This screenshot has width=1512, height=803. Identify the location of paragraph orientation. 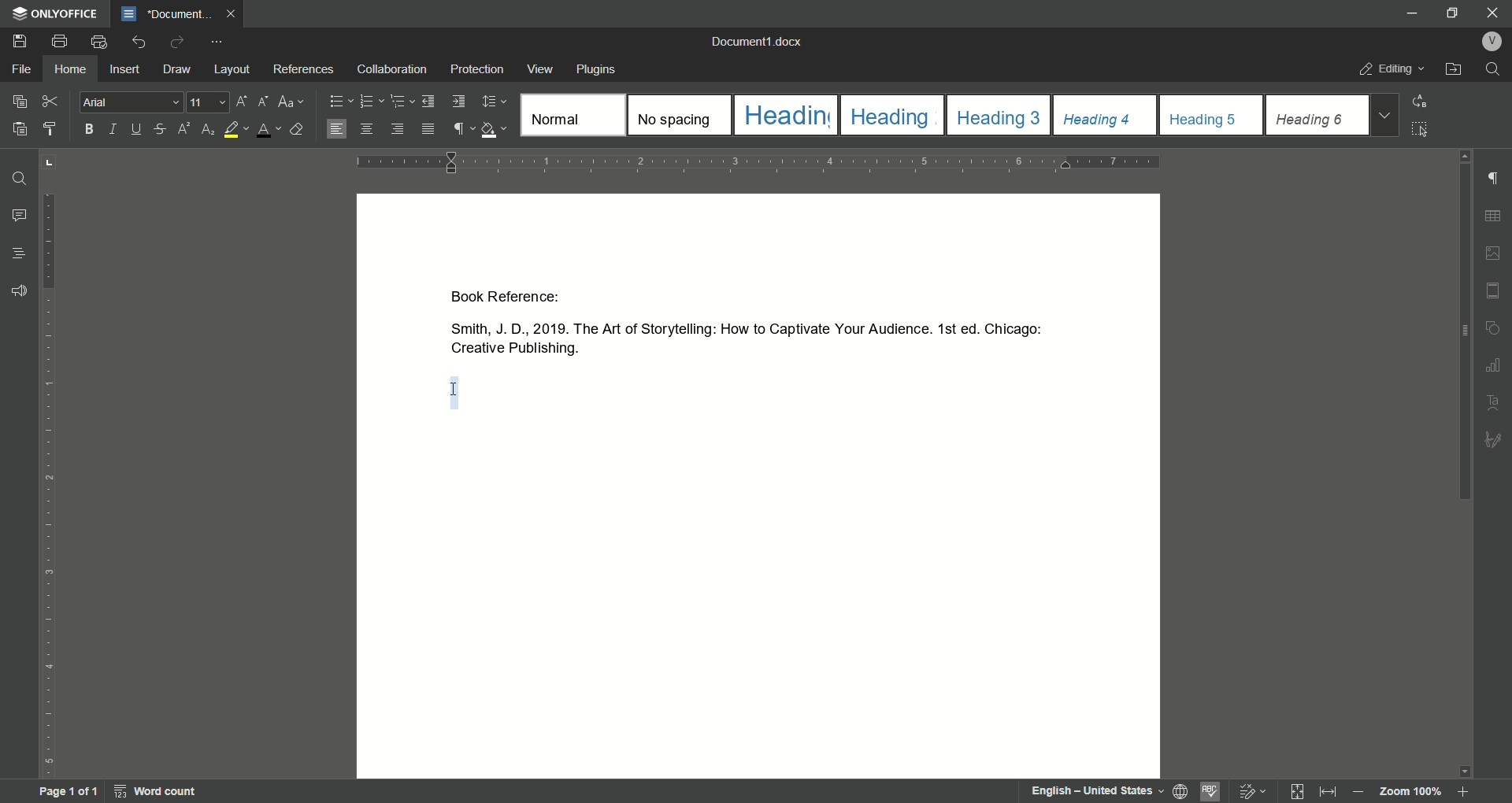
(764, 161).